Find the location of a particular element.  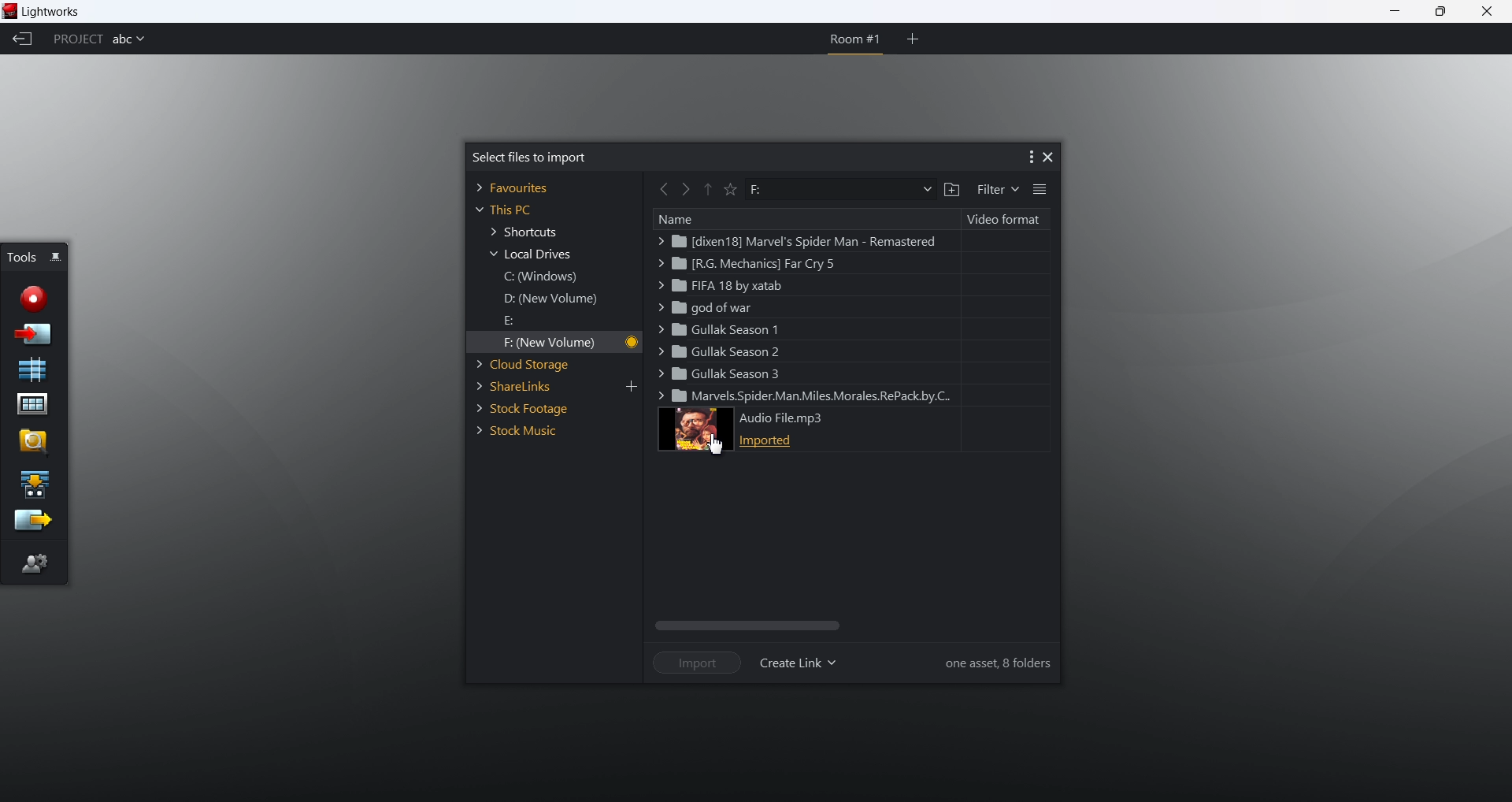

back is located at coordinates (24, 40).